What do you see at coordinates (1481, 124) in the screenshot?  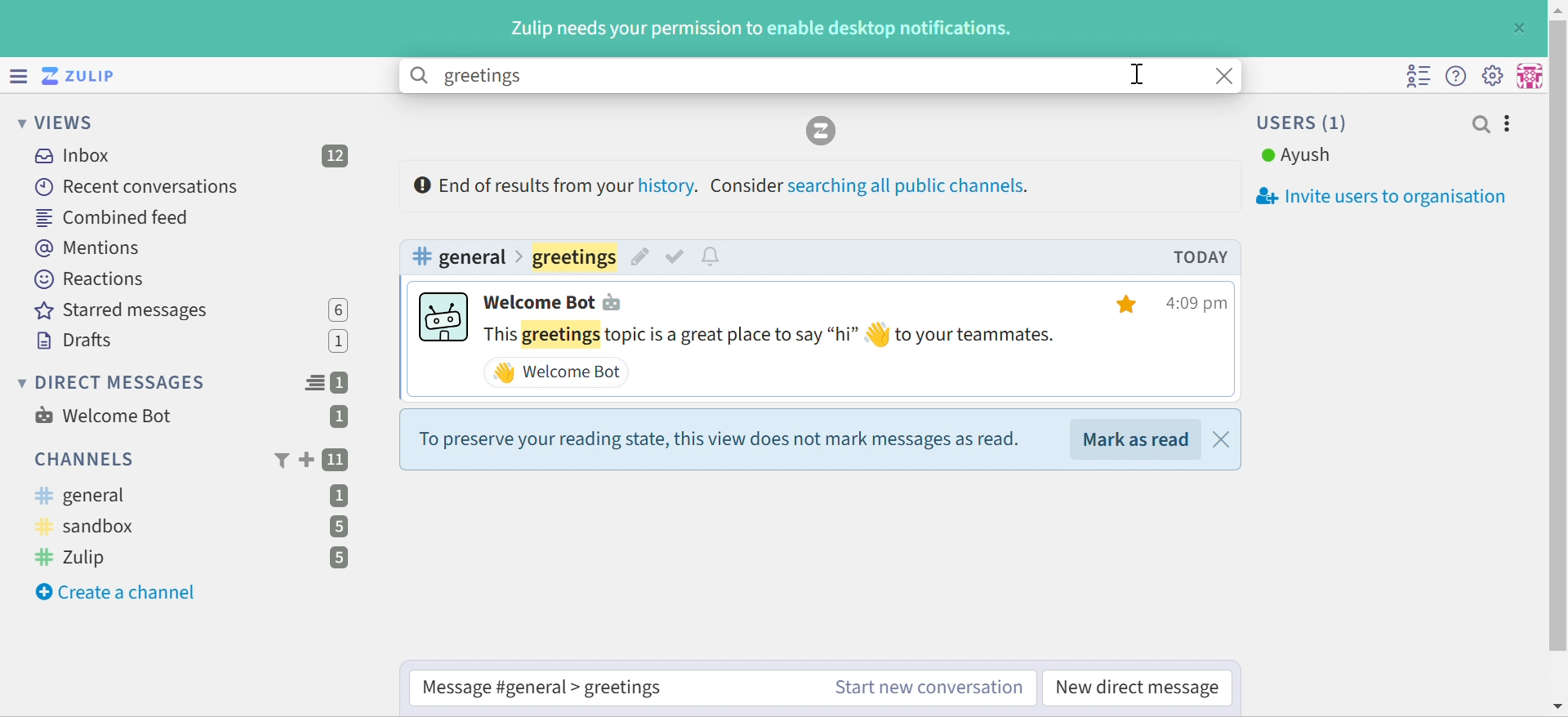 I see `Search one person` at bounding box center [1481, 124].